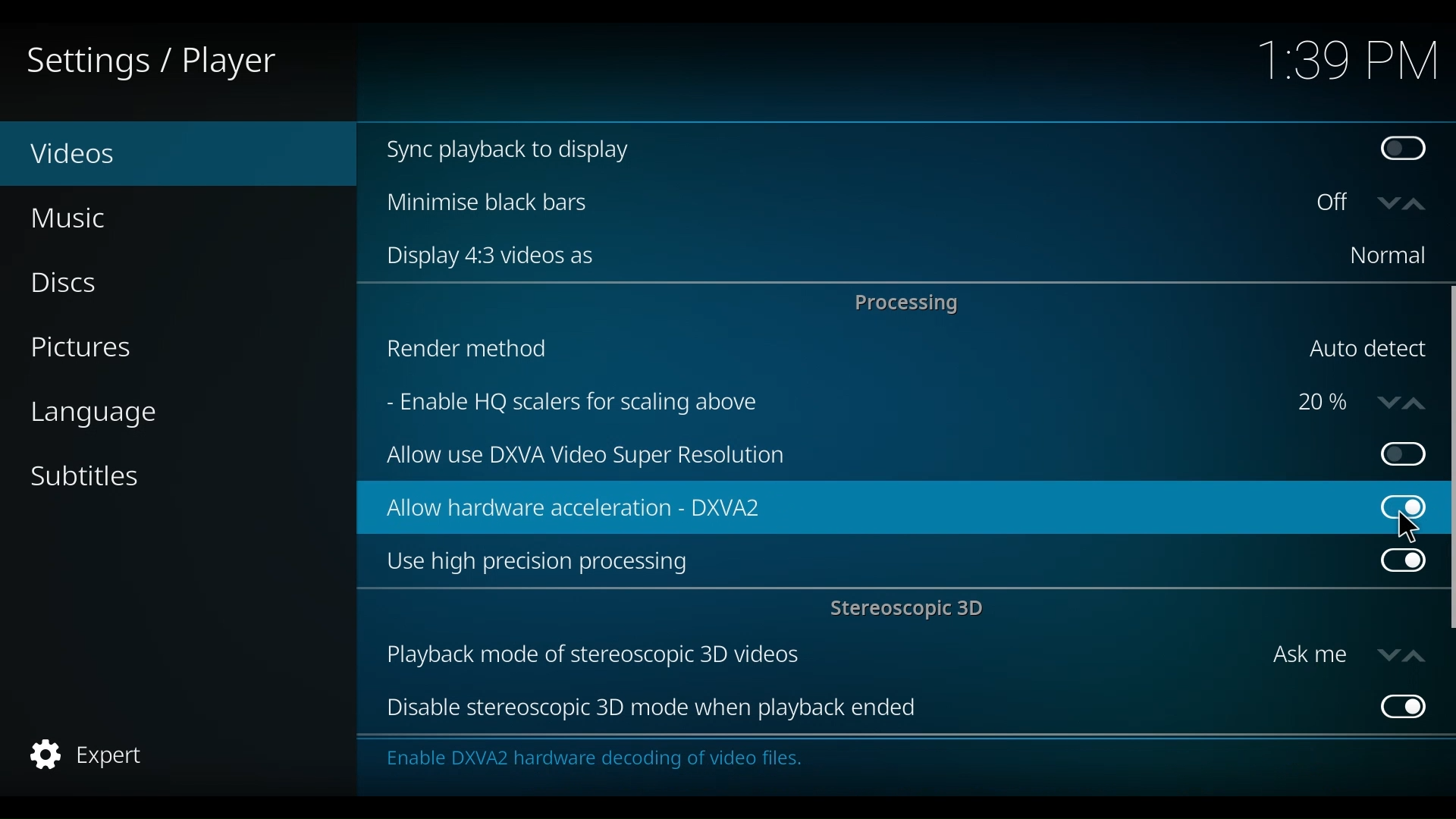 The height and width of the screenshot is (819, 1456). Describe the element at coordinates (1407, 151) in the screenshot. I see `Toggle Sync playback to display` at that location.